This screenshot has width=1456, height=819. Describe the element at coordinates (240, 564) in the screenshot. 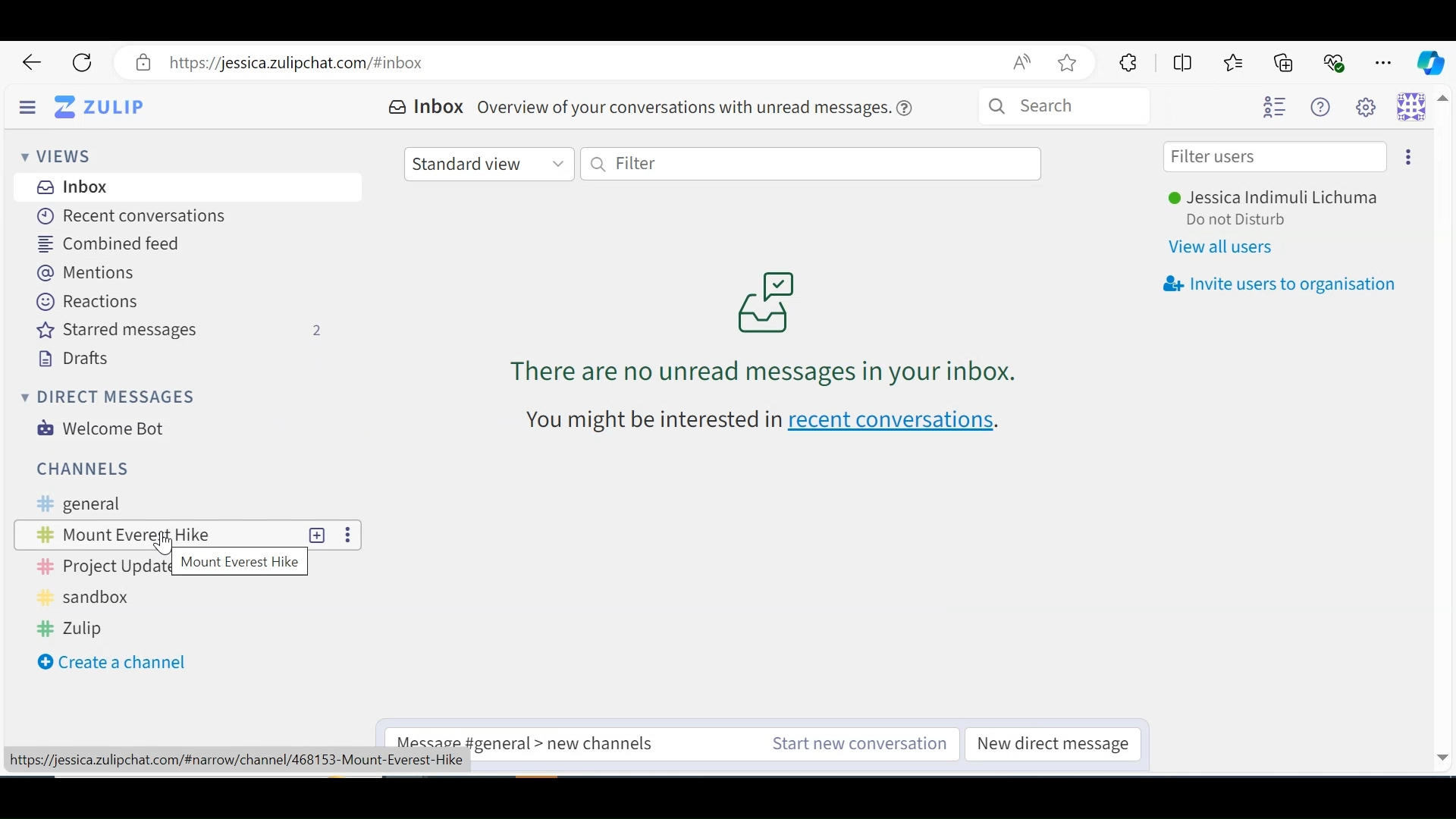

I see `Mount Everest Hike` at that location.